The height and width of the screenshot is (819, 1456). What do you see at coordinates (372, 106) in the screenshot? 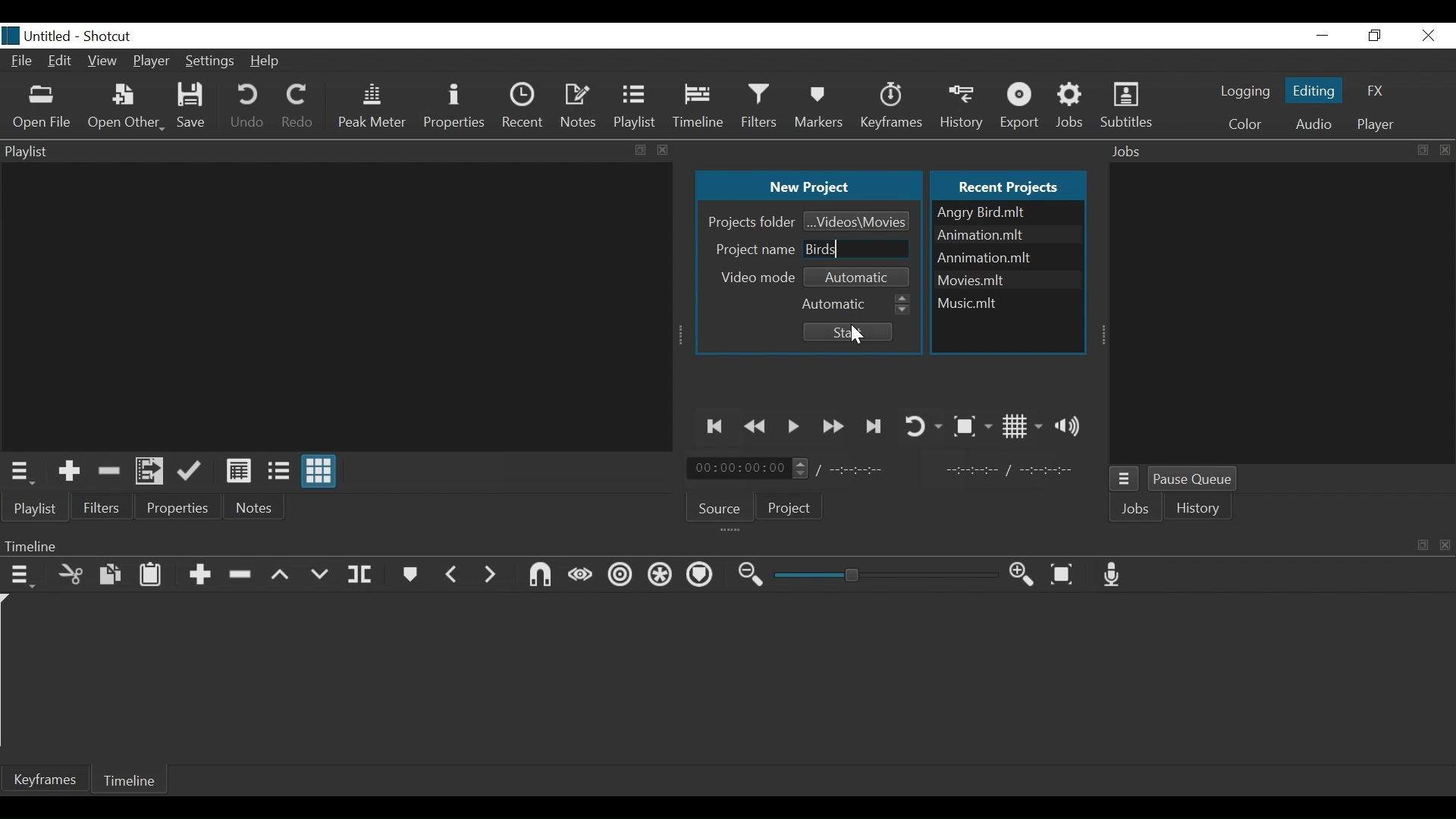
I see `Peak Meter` at bounding box center [372, 106].